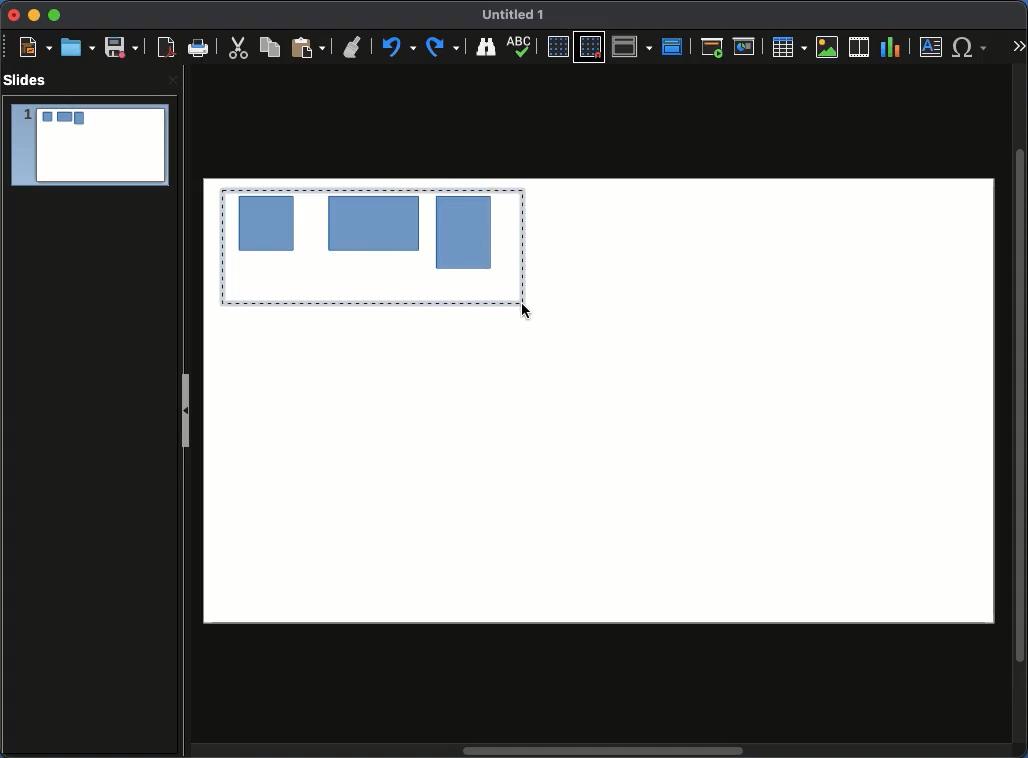  I want to click on Redo, so click(445, 47).